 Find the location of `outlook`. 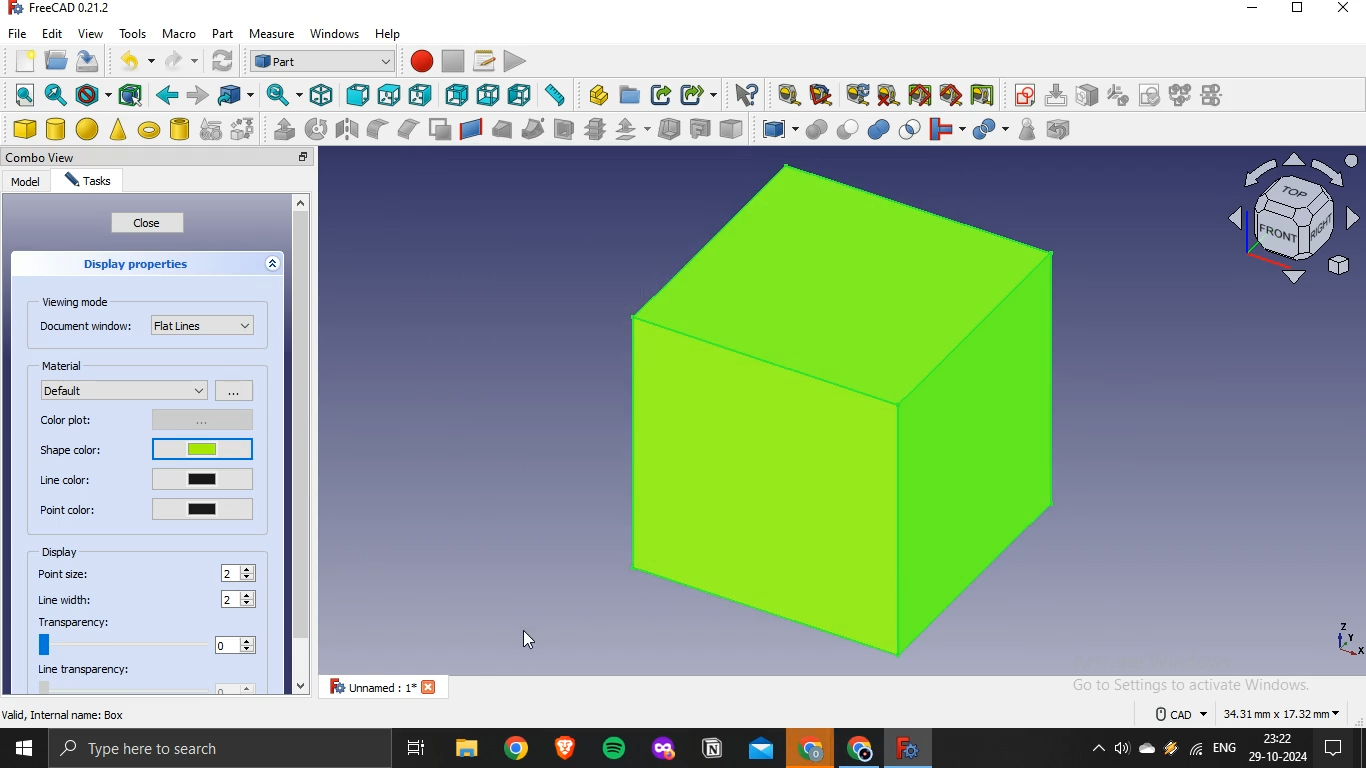

outlook is located at coordinates (762, 751).